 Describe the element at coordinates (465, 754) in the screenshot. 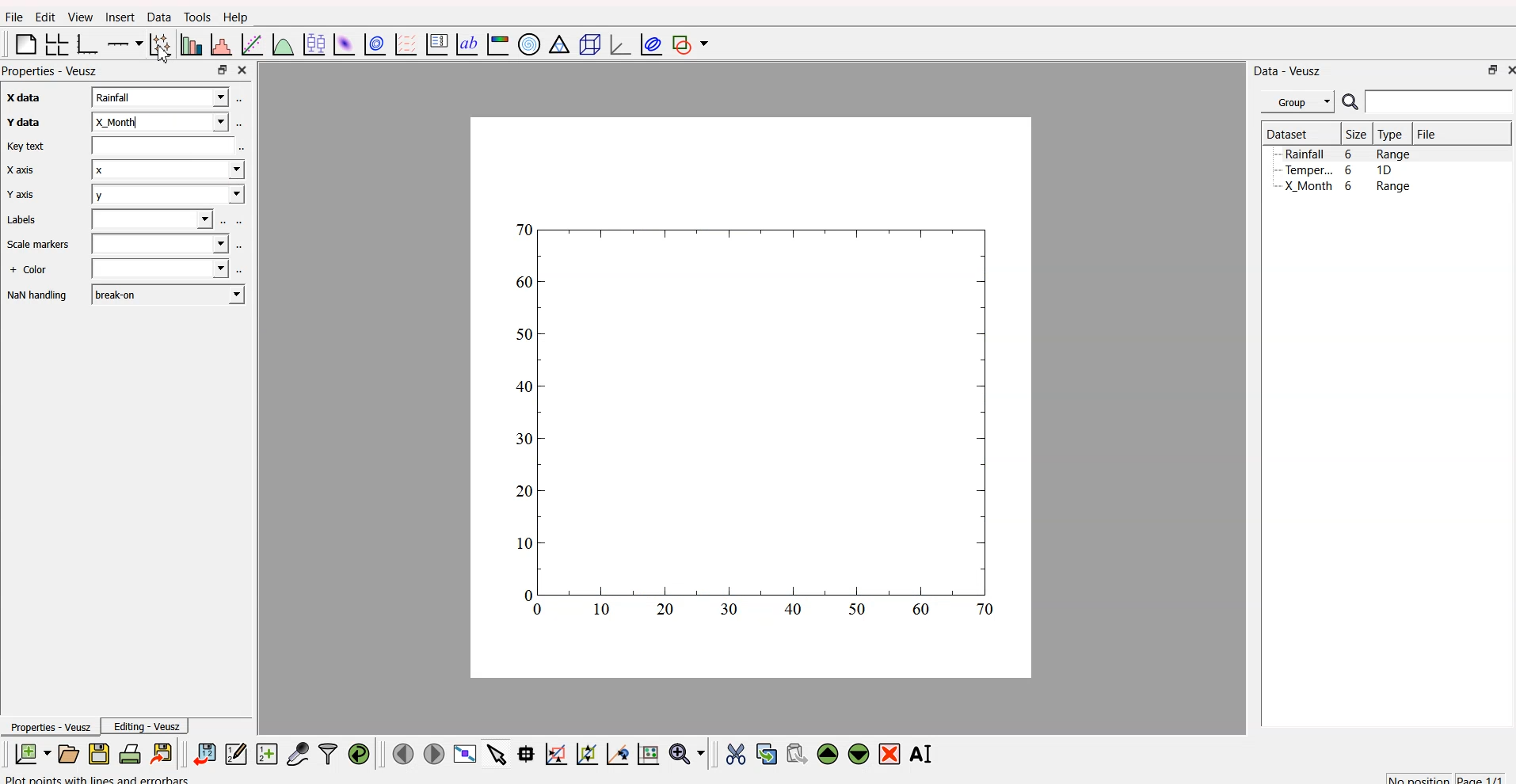

I see `view plot full screen` at that location.